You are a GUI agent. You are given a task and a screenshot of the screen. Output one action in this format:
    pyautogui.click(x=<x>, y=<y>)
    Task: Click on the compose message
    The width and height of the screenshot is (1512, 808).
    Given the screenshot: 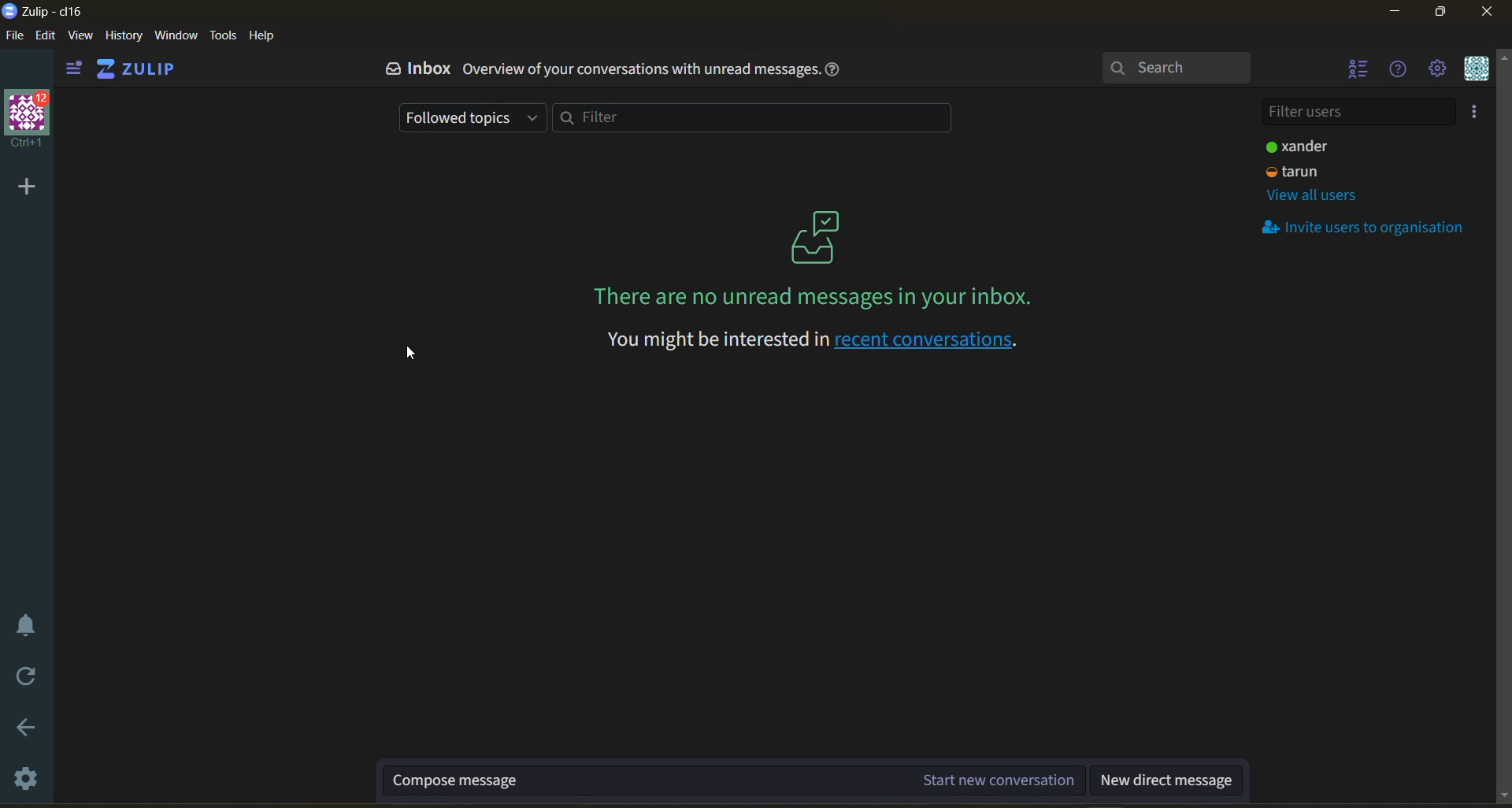 What is the action you would take?
    pyautogui.click(x=736, y=779)
    